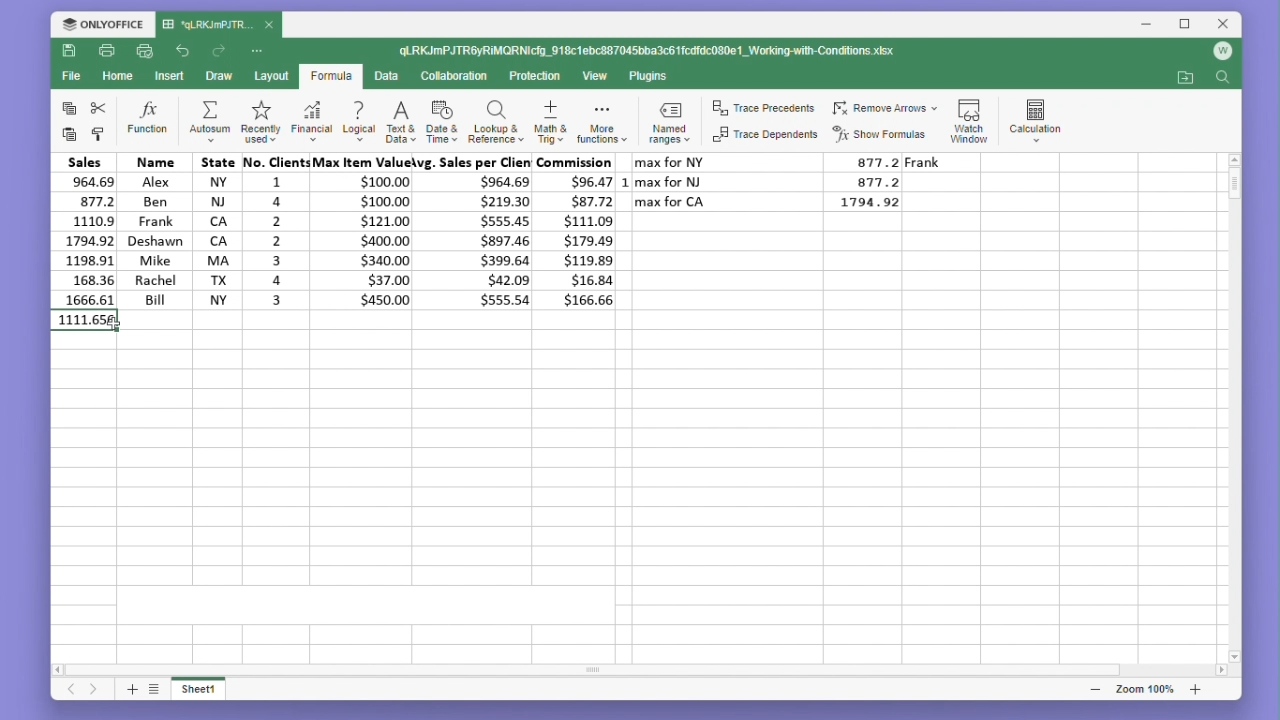 The width and height of the screenshot is (1280, 720). I want to click on max for NY 877.2 Frank, so click(795, 161).